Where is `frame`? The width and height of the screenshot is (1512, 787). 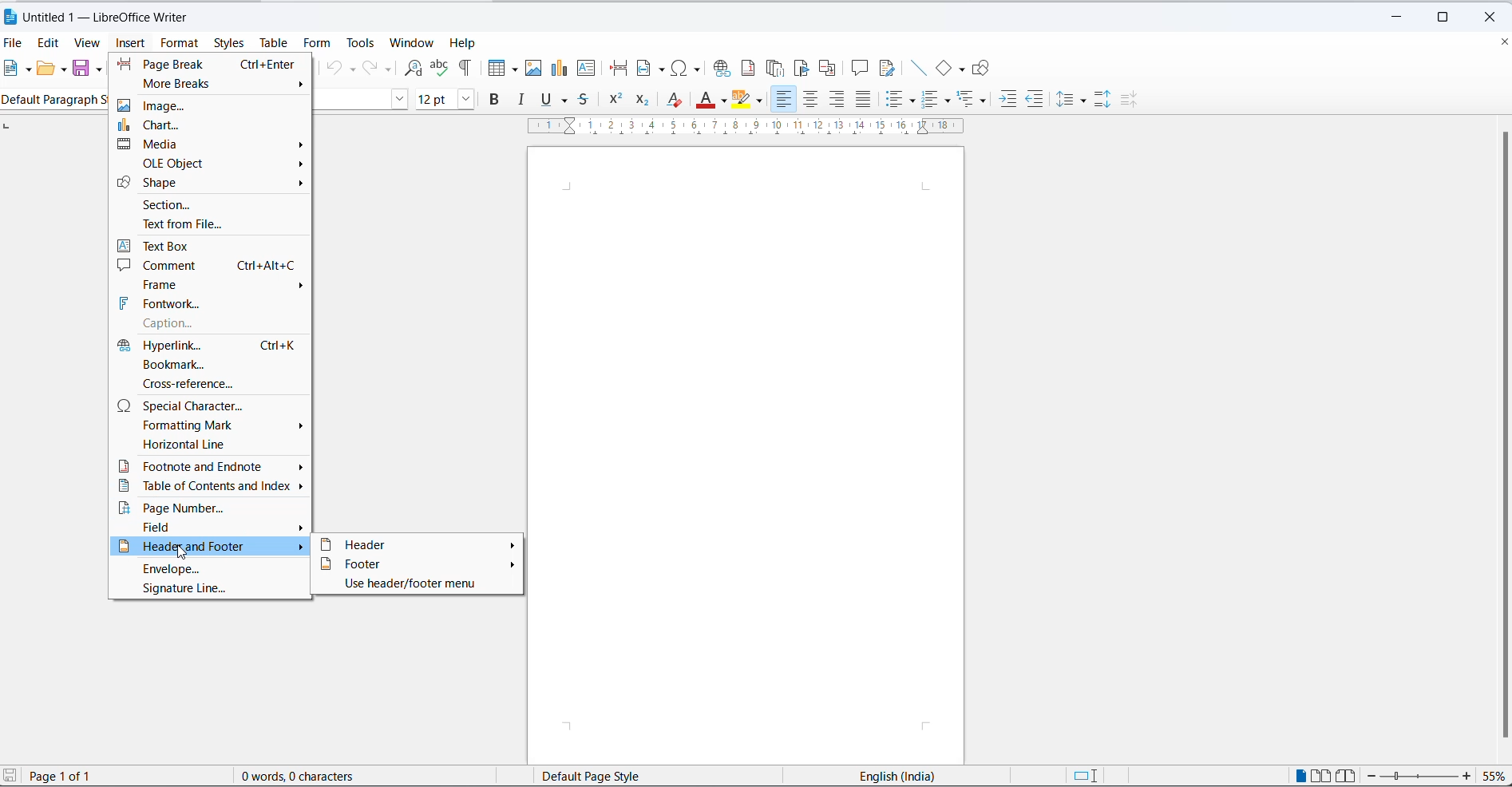 frame is located at coordinates (209, 284).